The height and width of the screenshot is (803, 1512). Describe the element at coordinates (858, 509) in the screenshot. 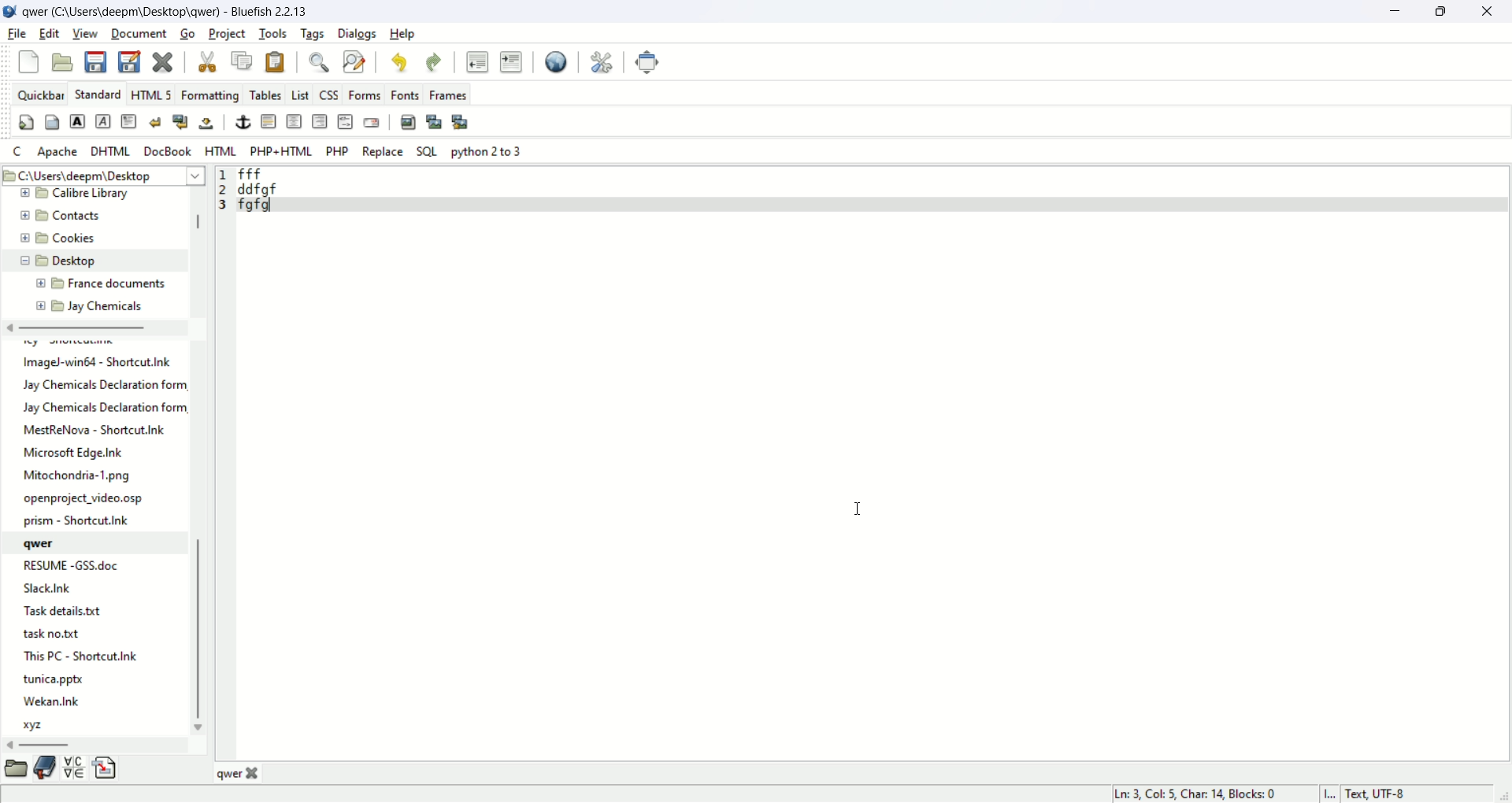

I see `cursor` at that location.